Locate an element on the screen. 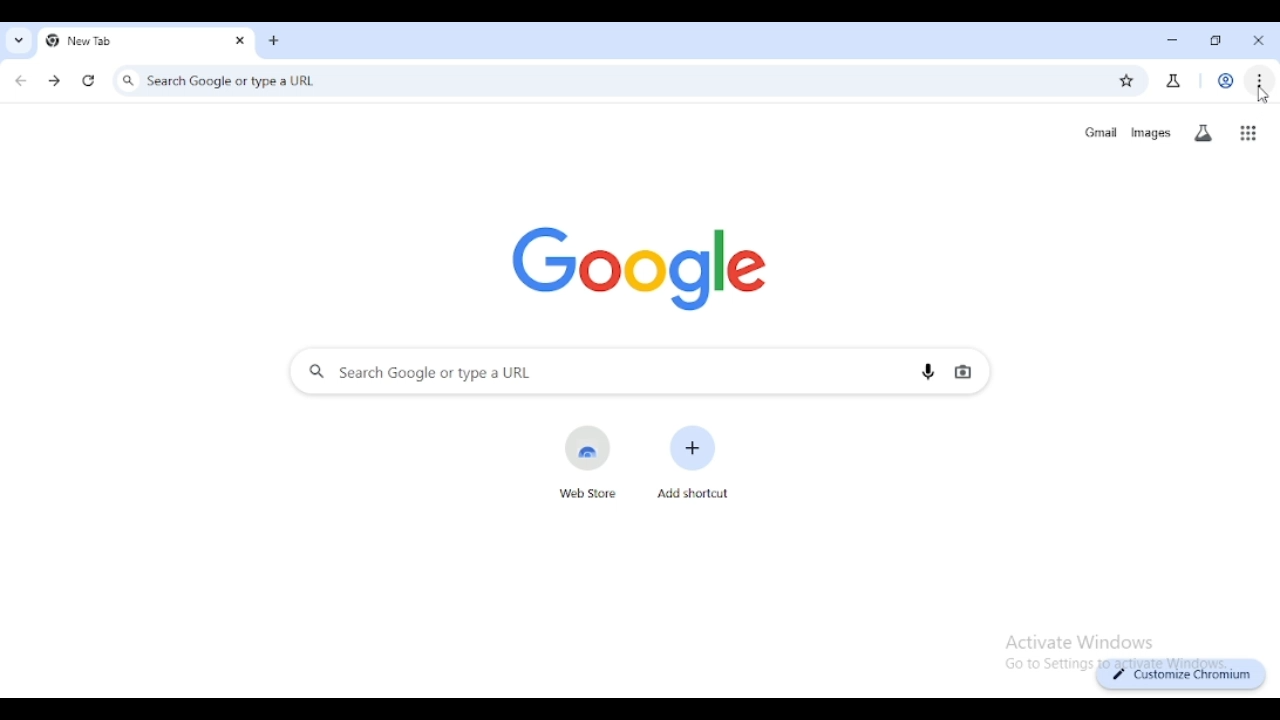 Image resolution: width=1280 pixels, height=720 pixels. search tabs is located at coordinates (18, 41).